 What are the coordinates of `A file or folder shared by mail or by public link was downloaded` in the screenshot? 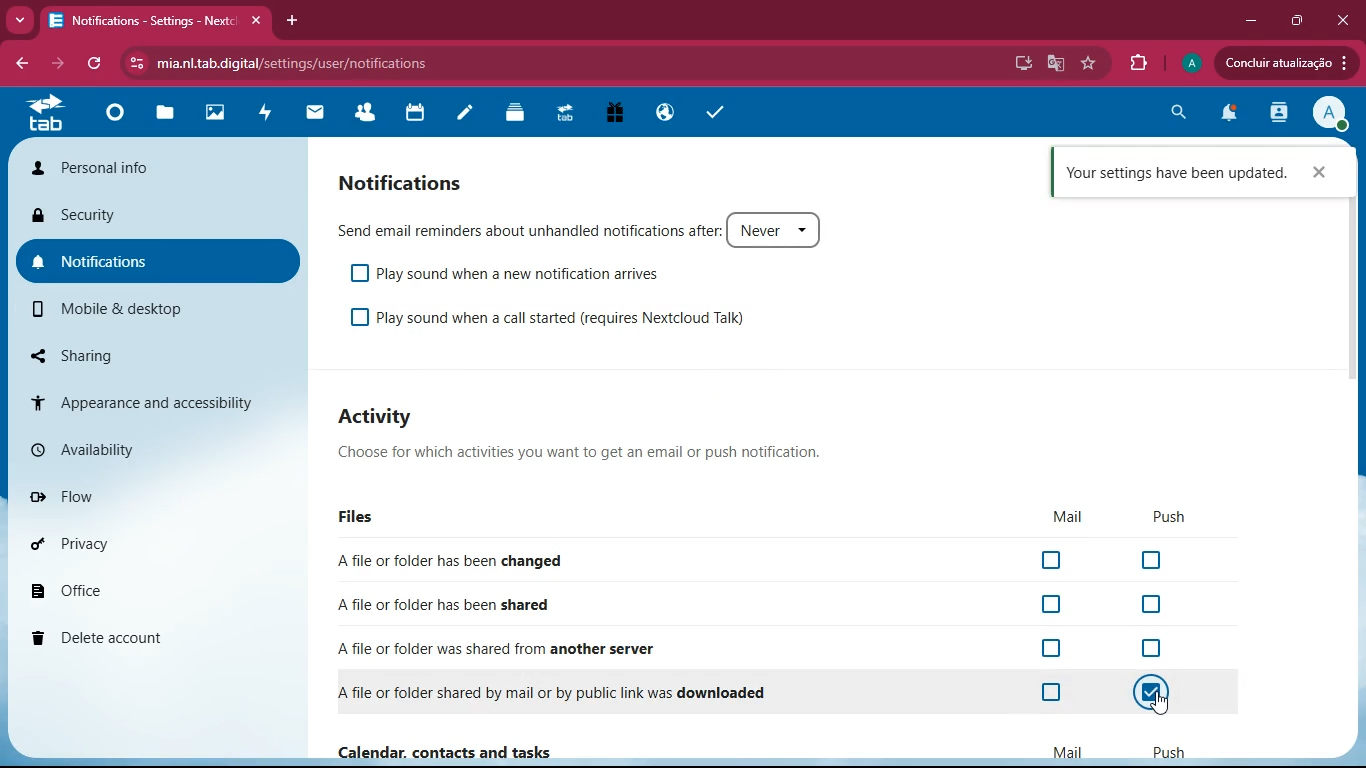 It's located at (559, 692).